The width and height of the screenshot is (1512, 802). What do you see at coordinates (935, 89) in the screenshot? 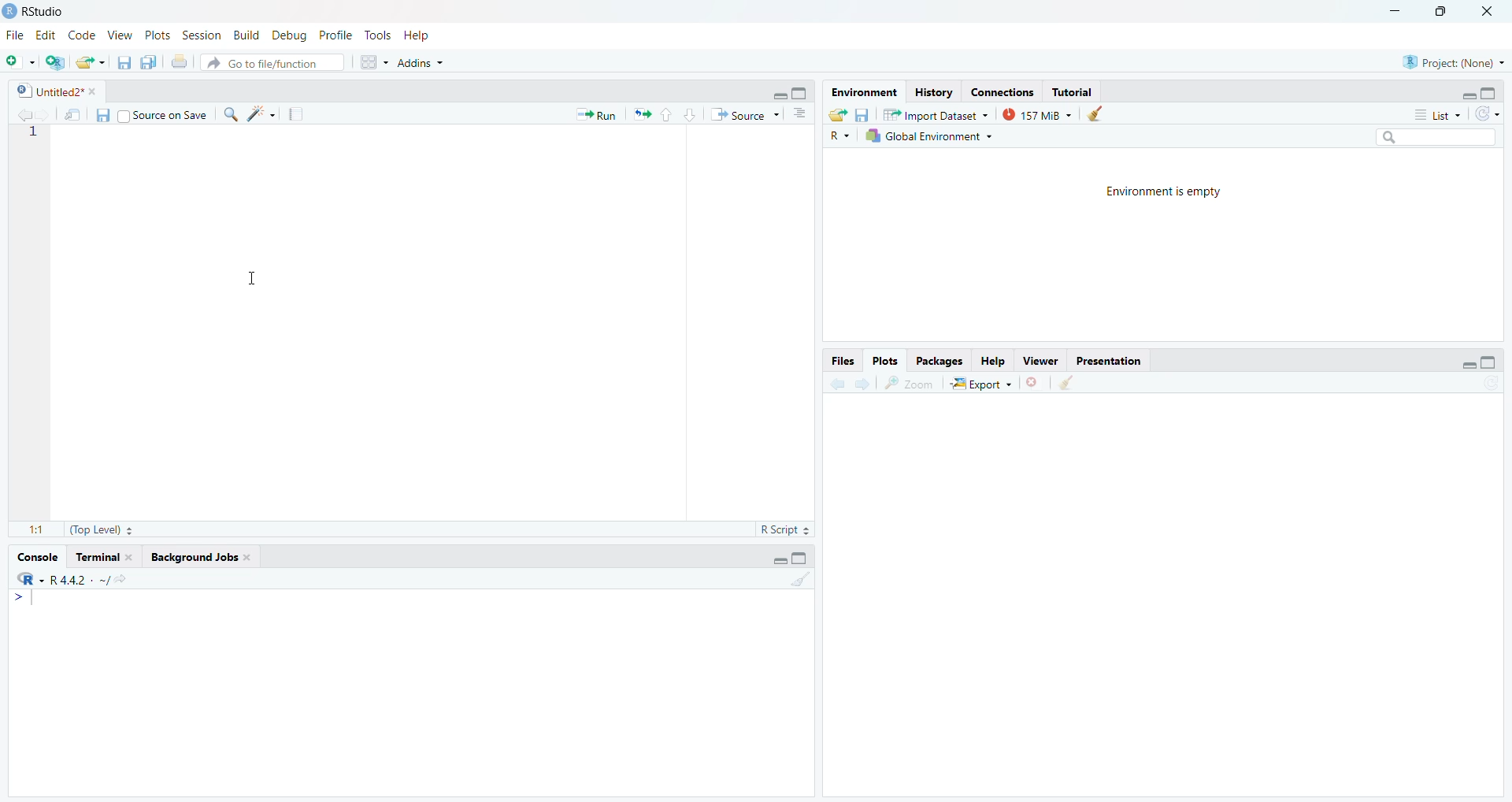
I see `History` at bounding box center [935, 89].